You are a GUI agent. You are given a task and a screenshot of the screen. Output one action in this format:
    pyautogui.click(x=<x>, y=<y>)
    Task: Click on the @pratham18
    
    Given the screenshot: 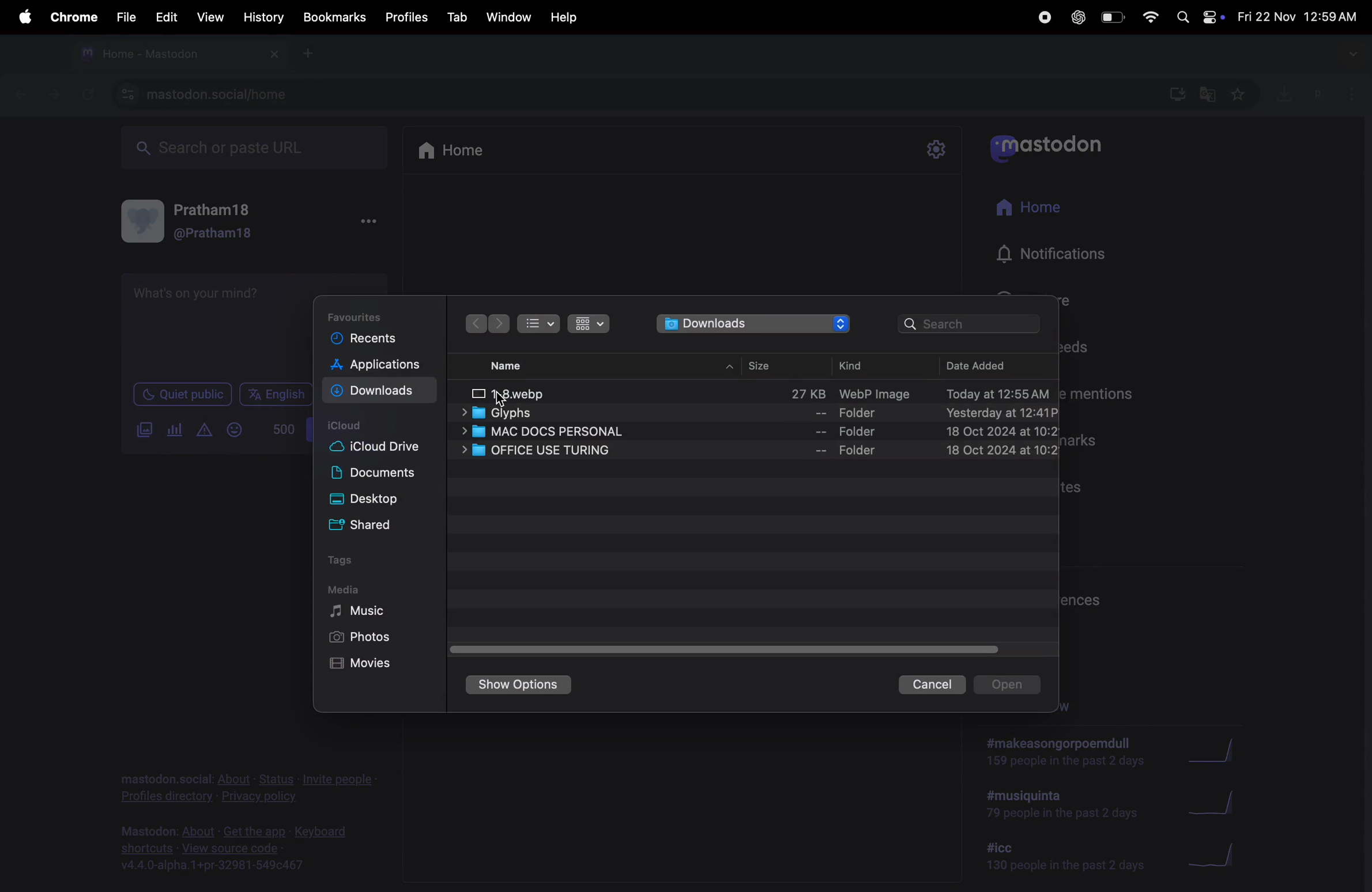 What is the action you would take?
    pyautogui.click(x=218, y=233)
    